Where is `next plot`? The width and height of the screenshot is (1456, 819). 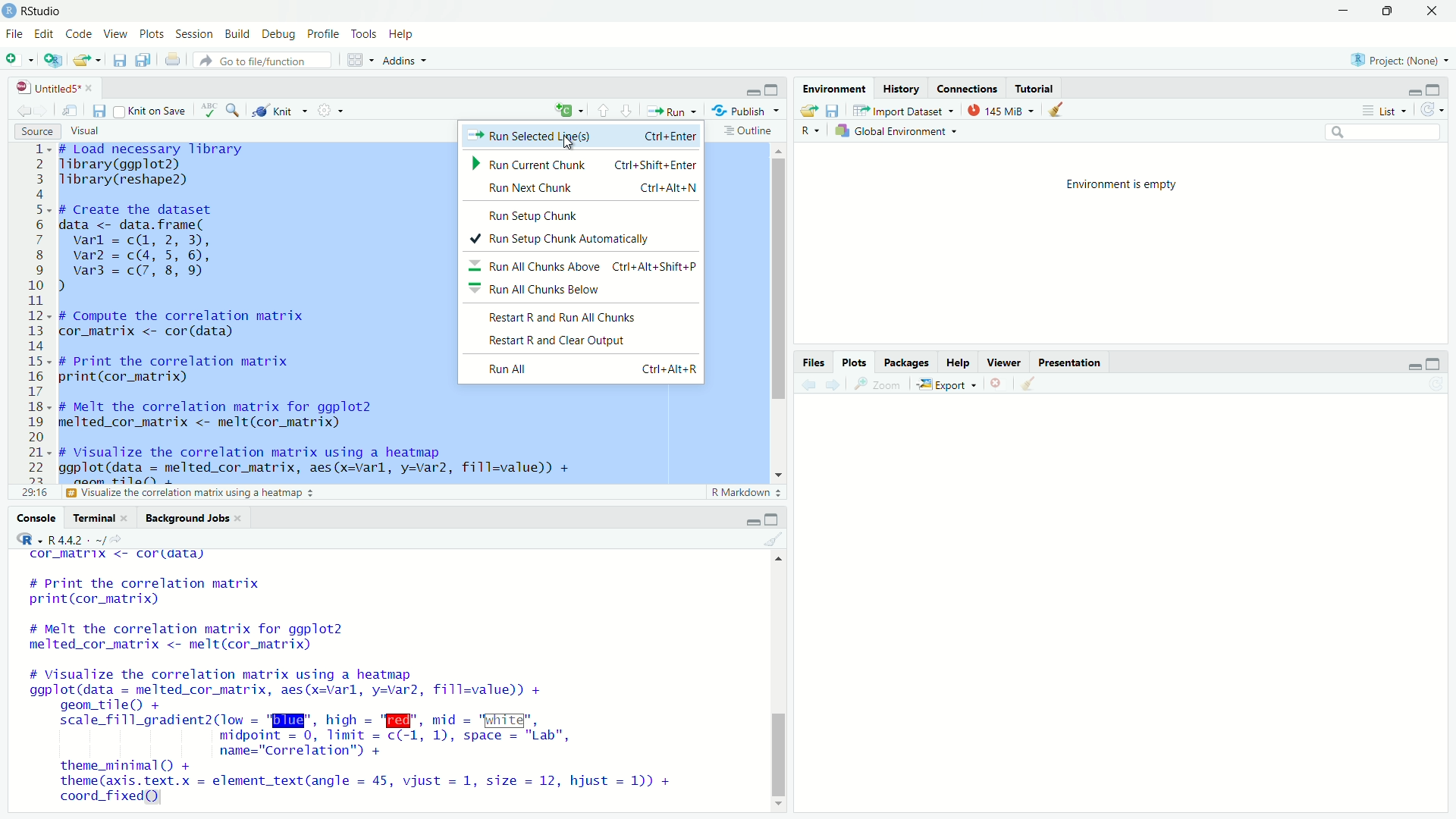
next plot is located at coordinates (833, 384).